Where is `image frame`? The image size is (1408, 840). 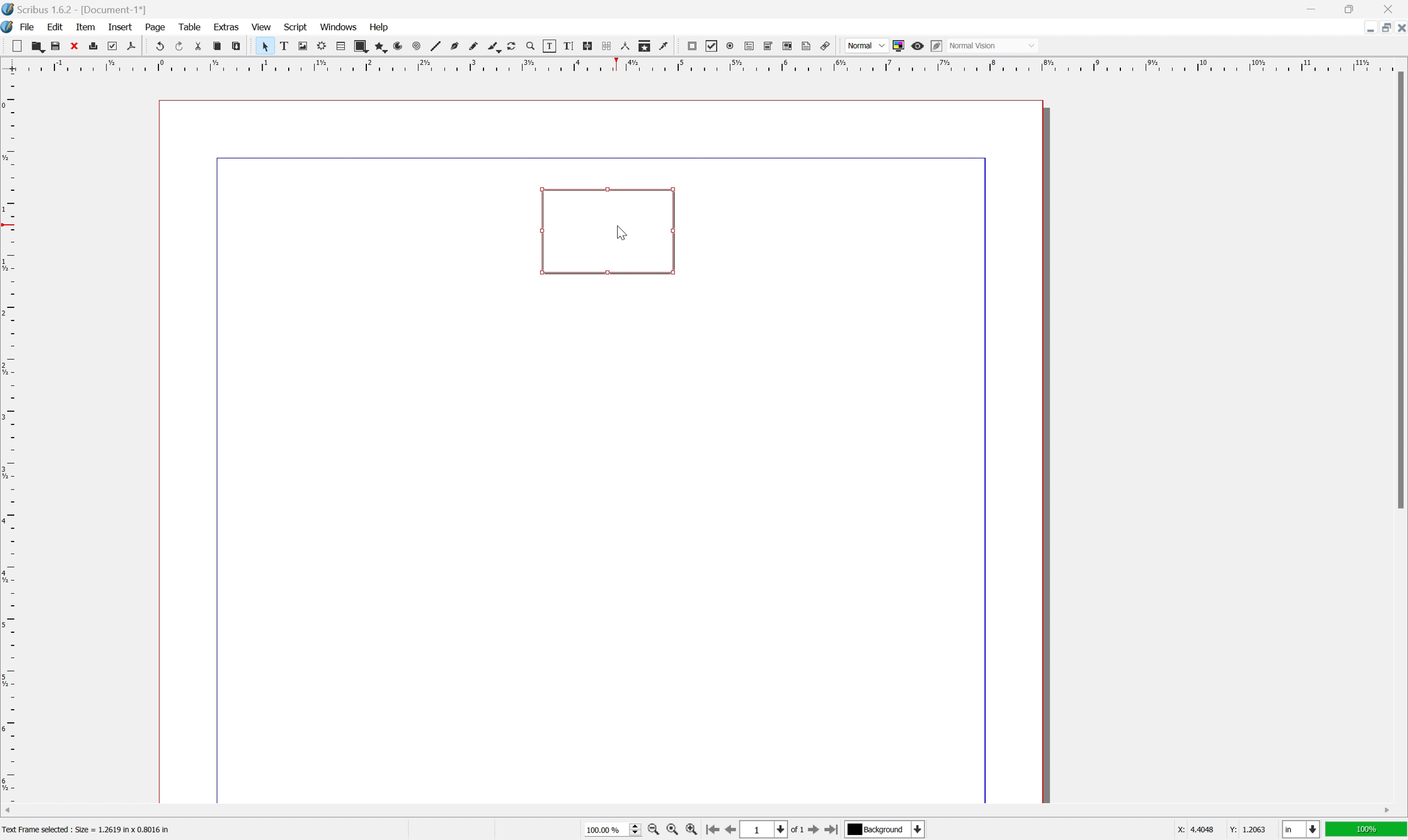 image frame is located at coordinates (303, 46).